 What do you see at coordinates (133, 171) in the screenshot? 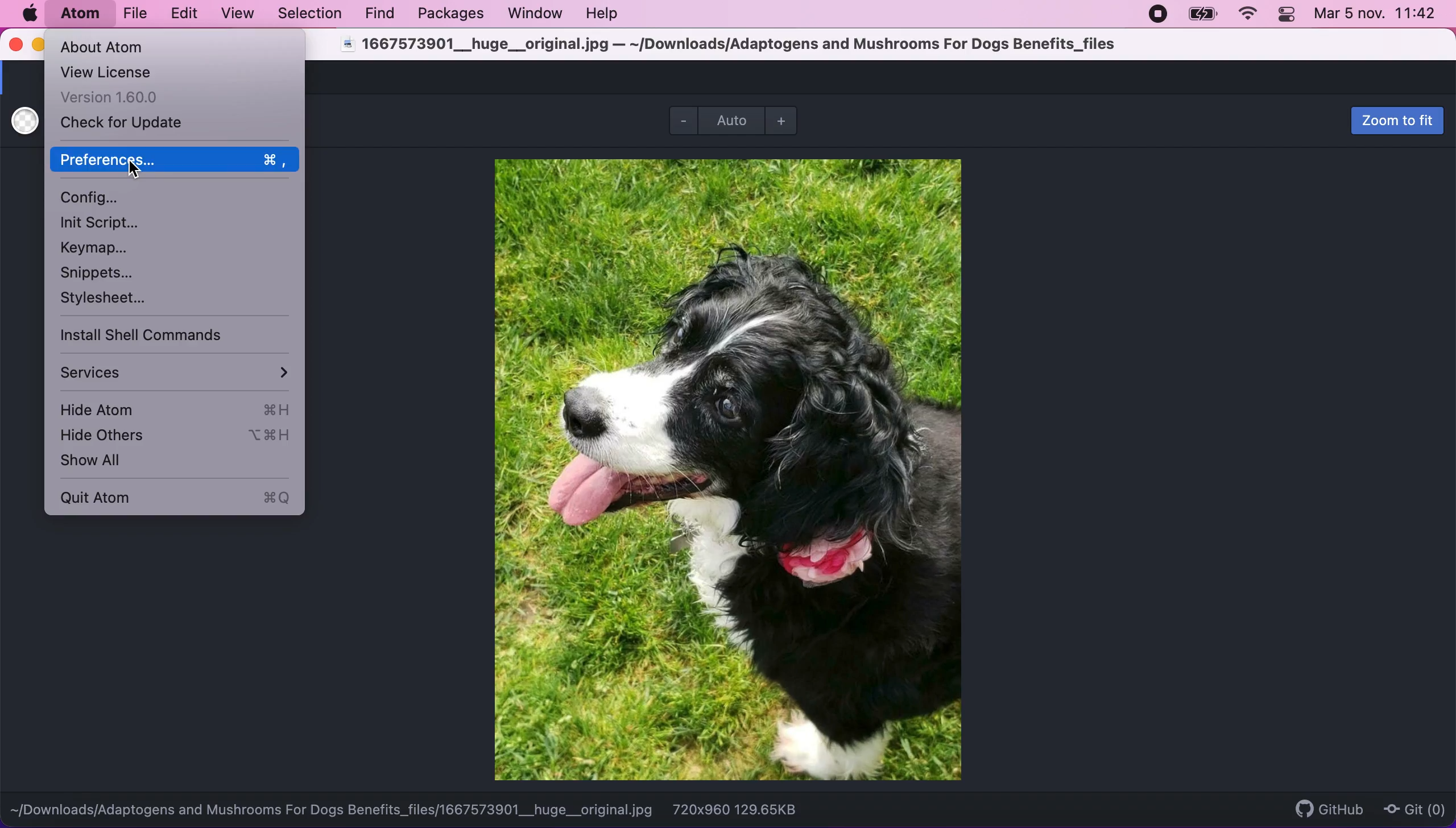
I see `cursor` at bounding box center [133, 171].